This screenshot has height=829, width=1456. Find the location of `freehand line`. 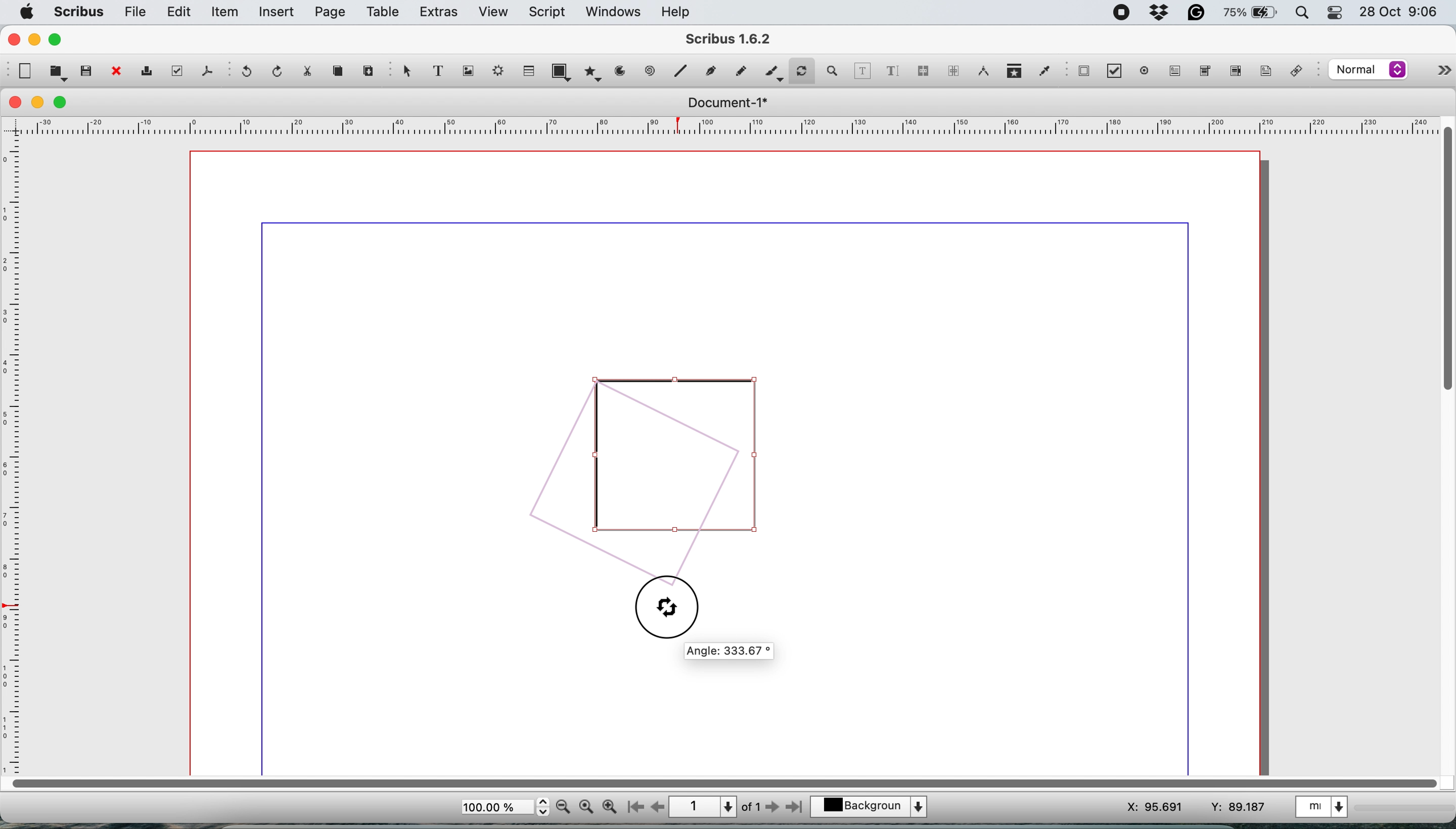

freehand line is located at coordinates (738, 71).